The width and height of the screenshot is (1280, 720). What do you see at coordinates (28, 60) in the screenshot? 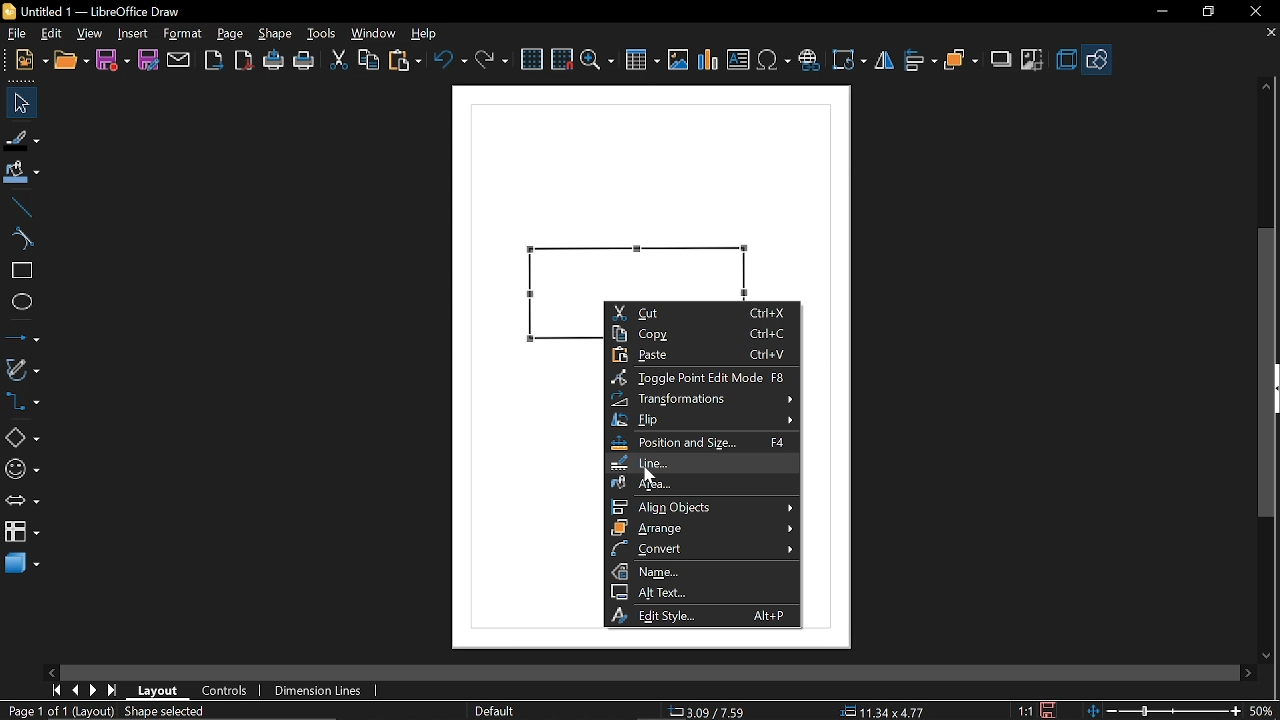
I see `new` at bounding box center [28, 60].